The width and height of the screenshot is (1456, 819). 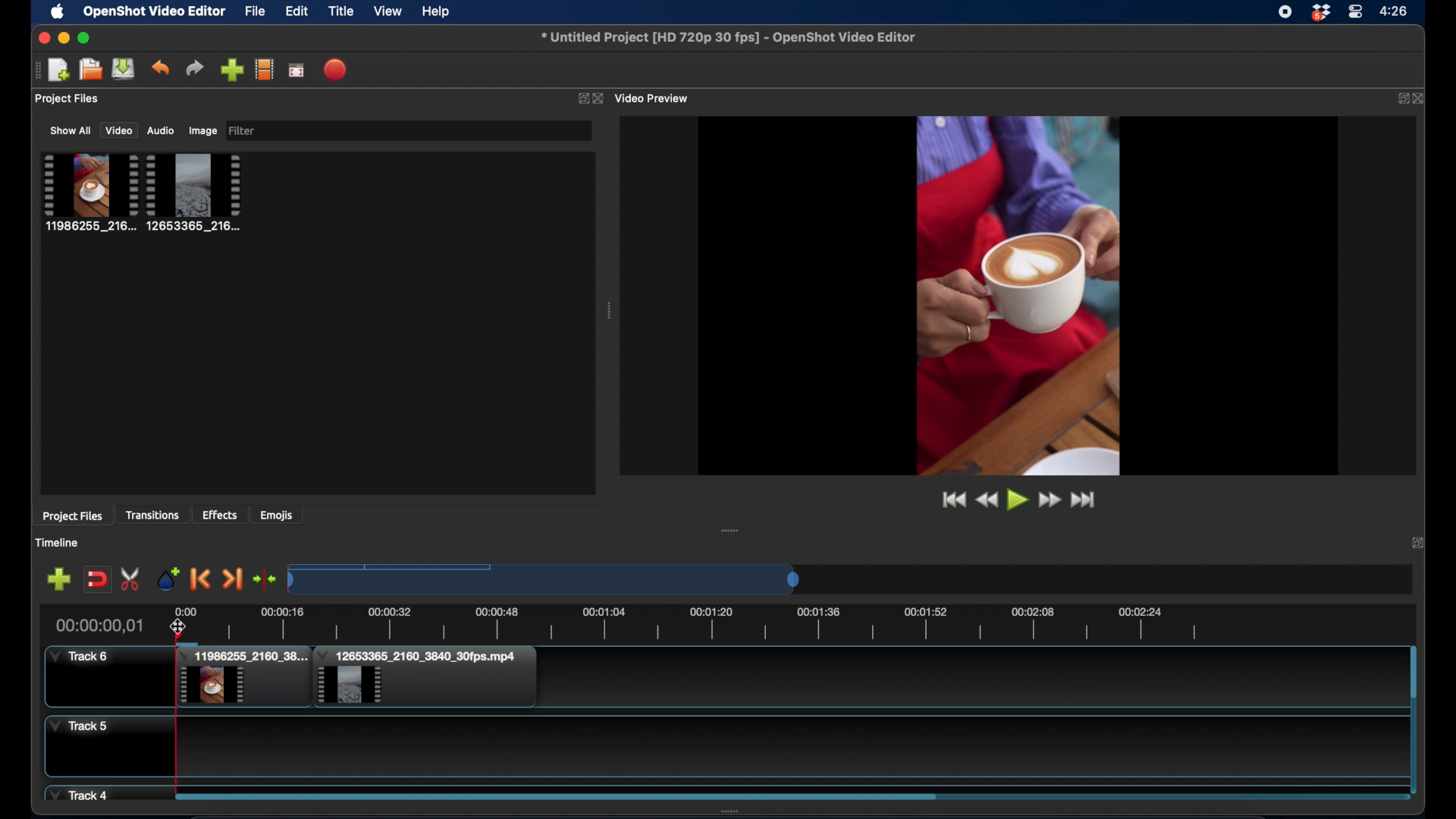 What do you see at coordinates (1396, 10) in the screenshot?
I see `time` at bounding box center [1396, 10].